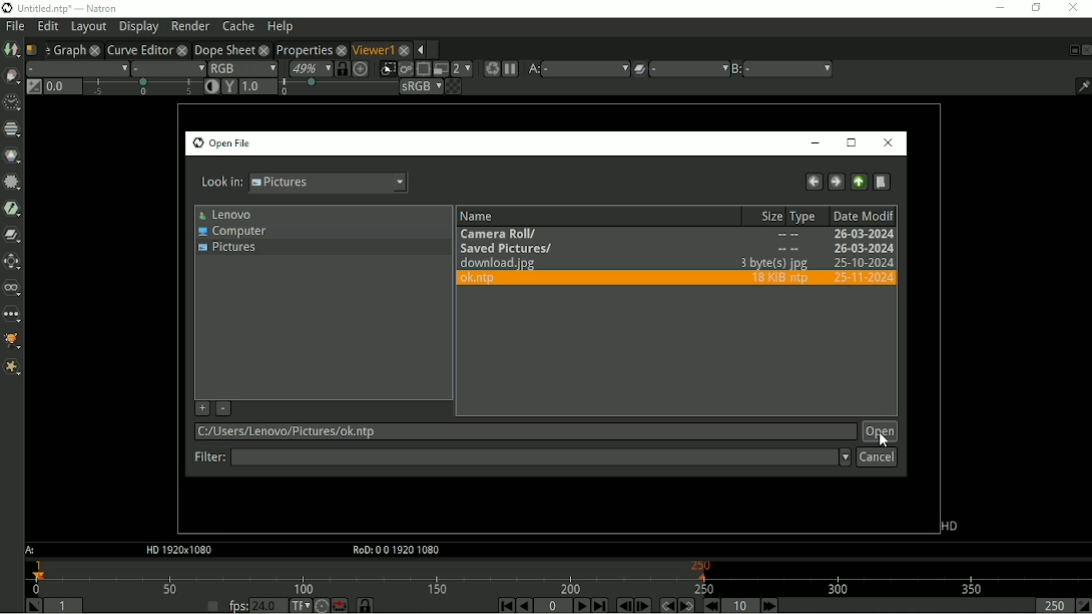 The height and width of the screenshot is (614, 1092). I want to click on Size, so click(768, 216).